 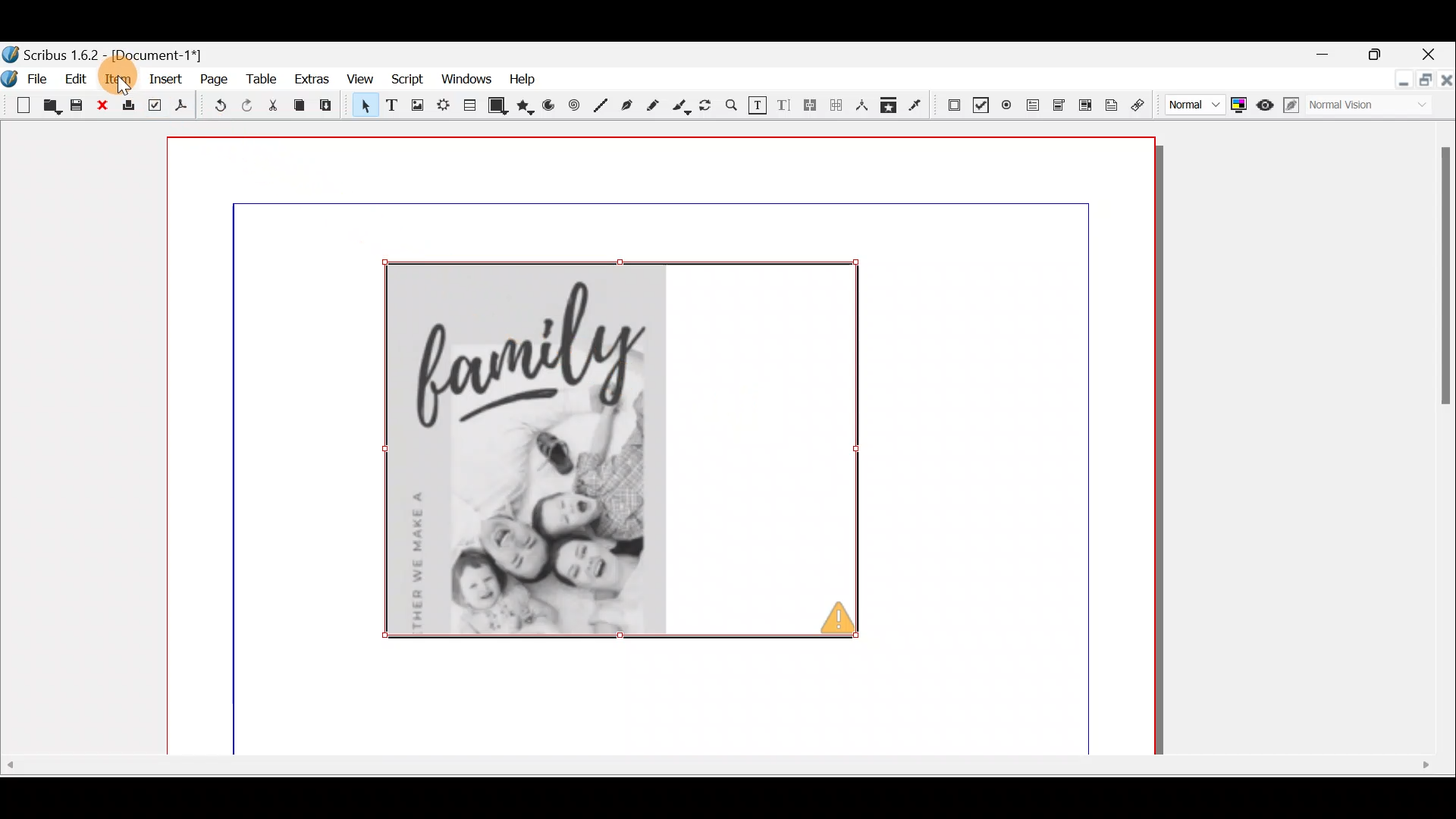 I want to click on Polygon, so click(x=527, y=104).